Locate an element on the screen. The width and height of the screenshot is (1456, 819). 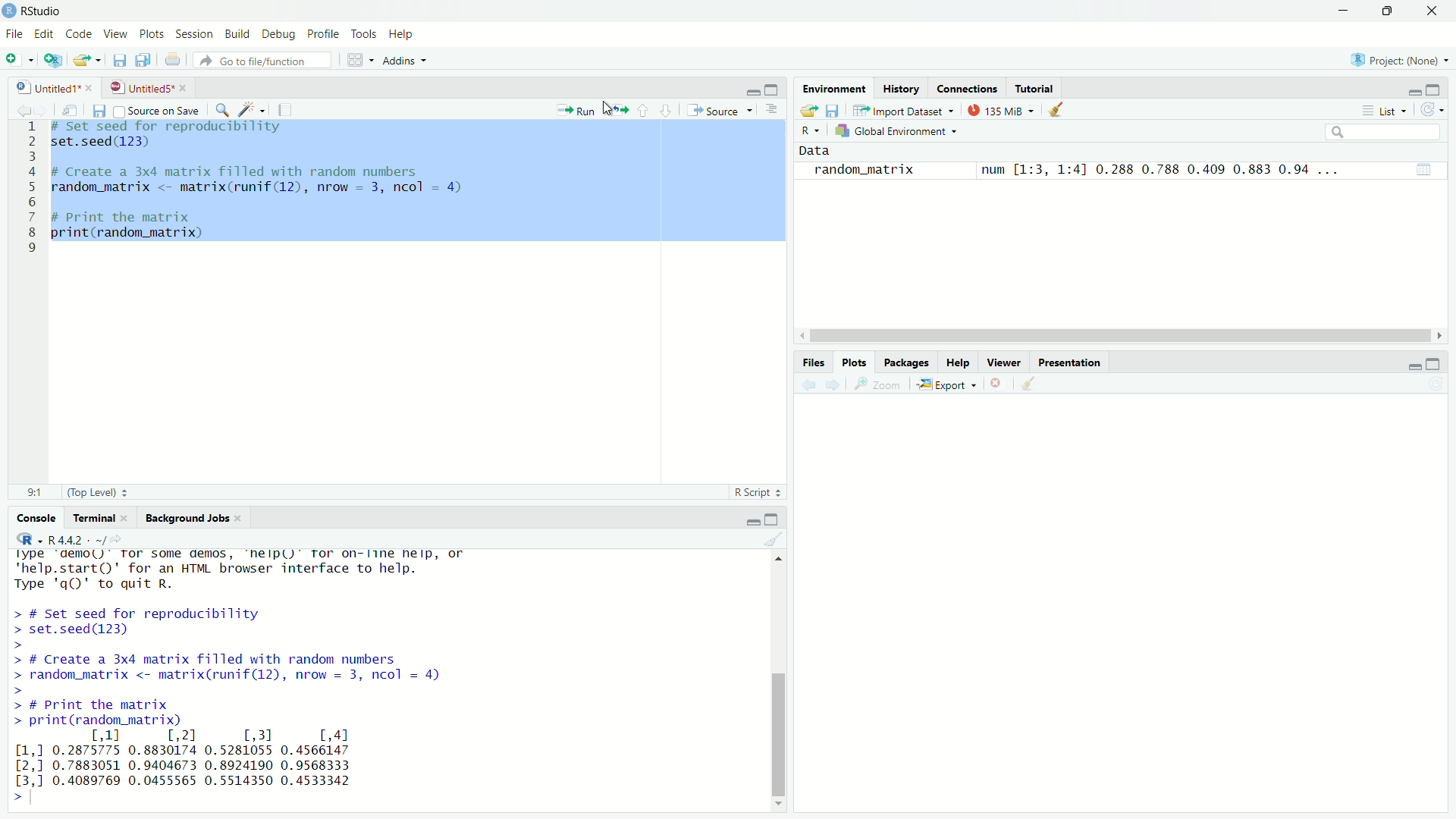
maximise is located at coordinates (772, 88).